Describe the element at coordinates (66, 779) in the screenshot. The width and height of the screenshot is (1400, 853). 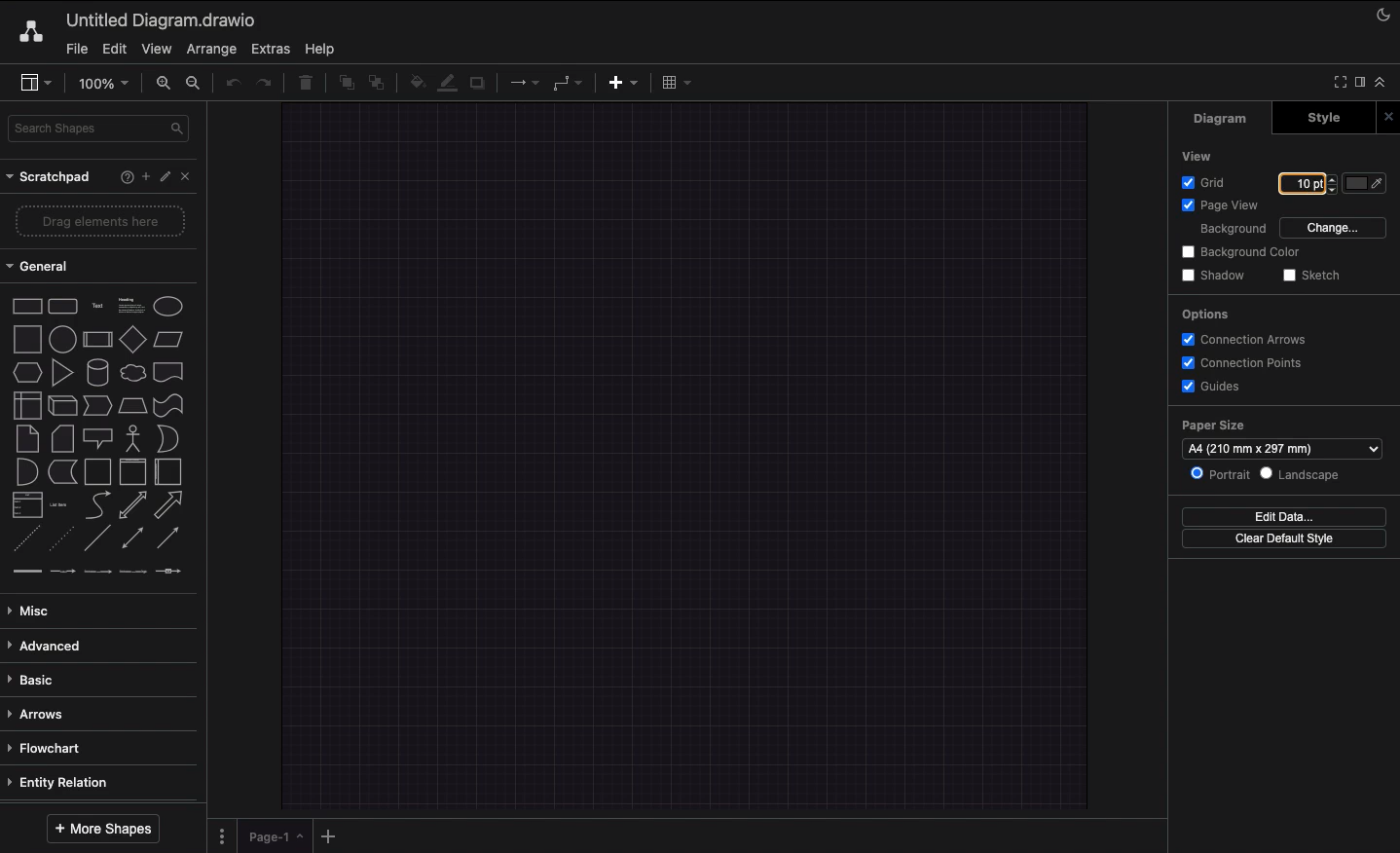
I see `Entity relation` at that location.